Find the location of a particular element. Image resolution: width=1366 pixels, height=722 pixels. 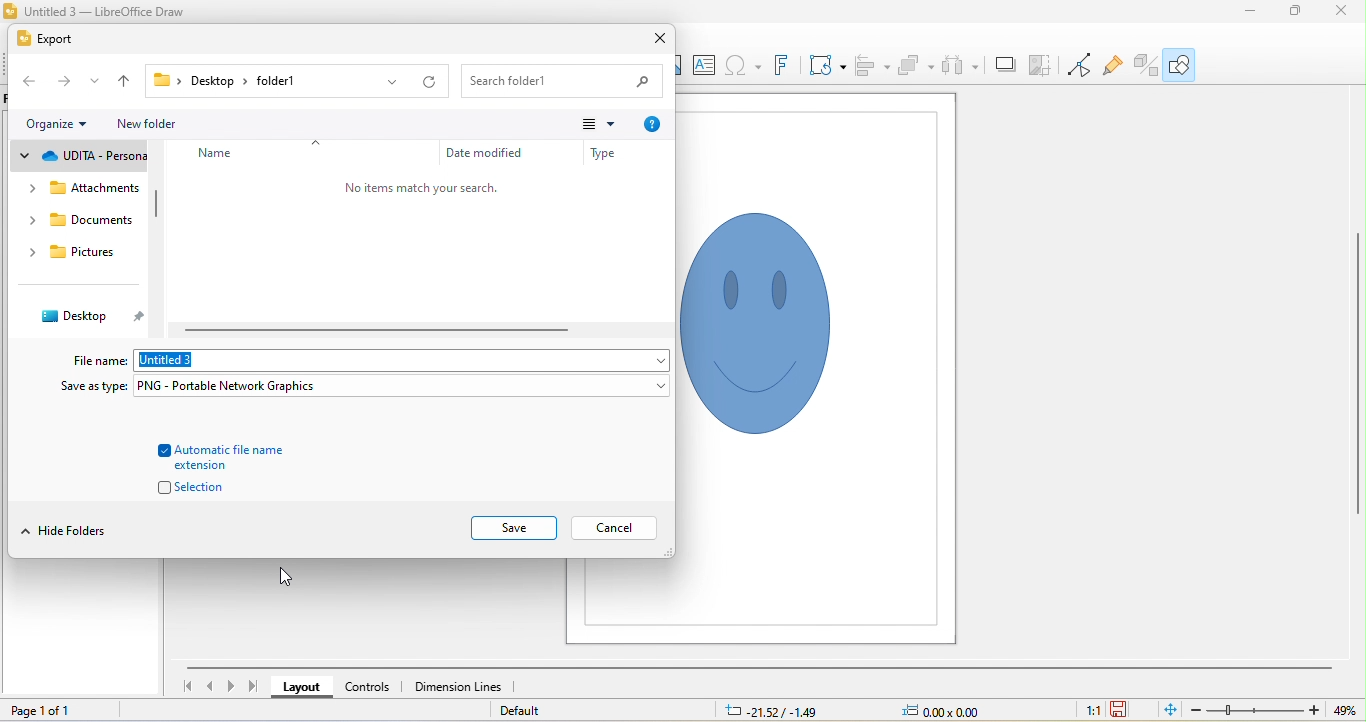

drop down is located at coordinates (32, 188).